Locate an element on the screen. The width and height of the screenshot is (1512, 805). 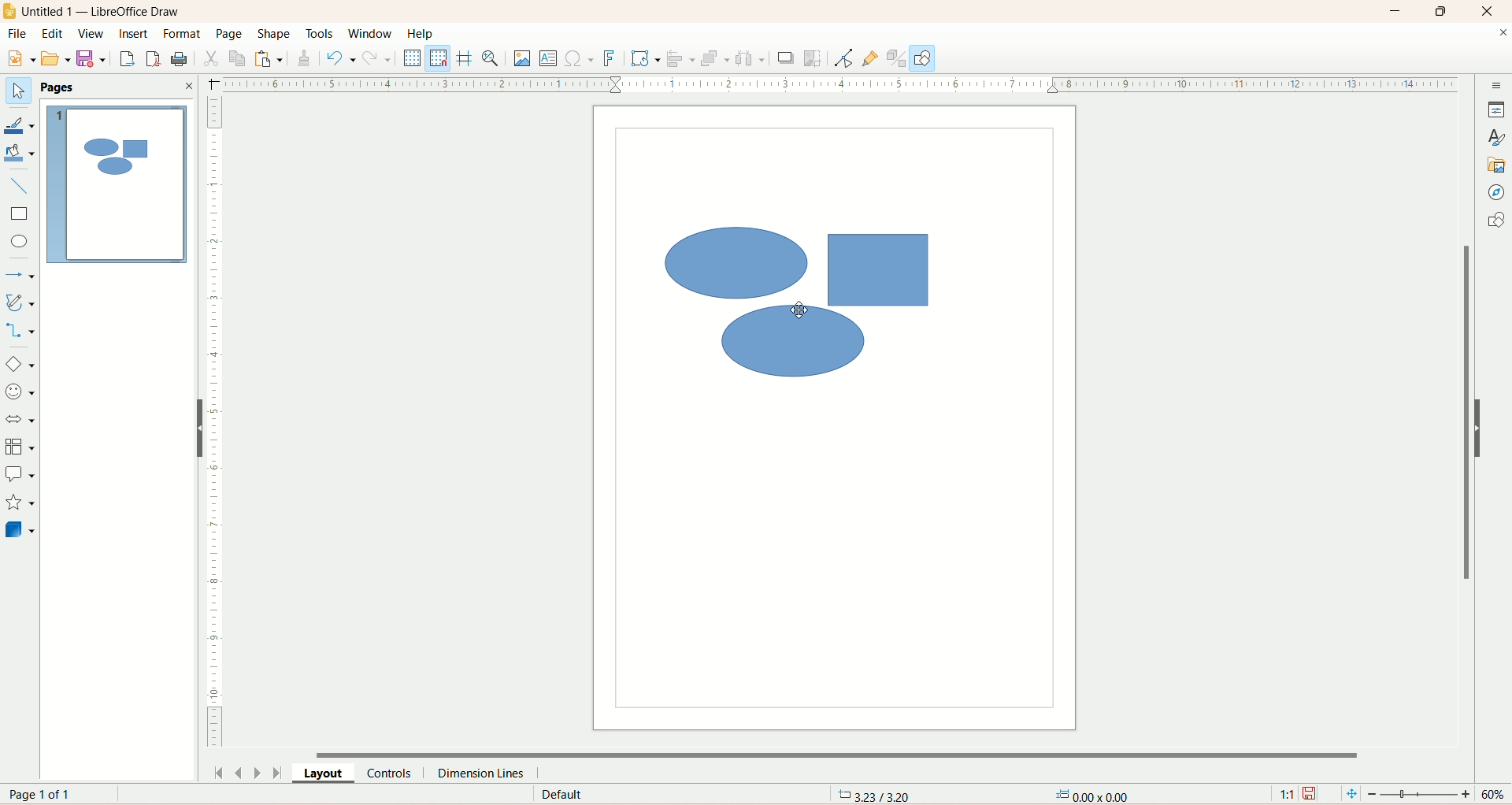
select atleast three object to distribute is located at coordinates (750, 58).